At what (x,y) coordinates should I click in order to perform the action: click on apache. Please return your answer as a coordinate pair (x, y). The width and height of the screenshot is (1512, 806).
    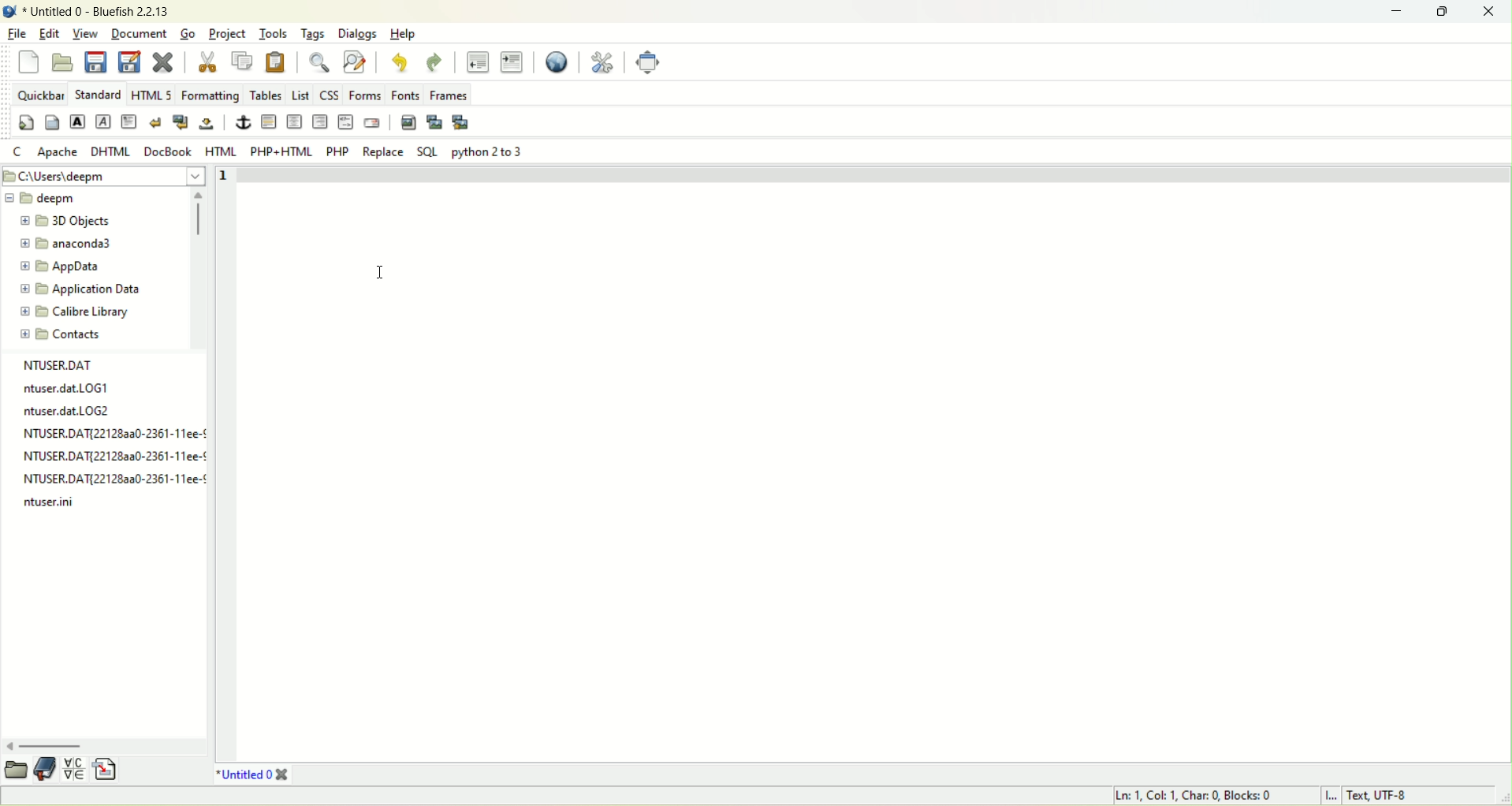
    Looking at the image, I should click on (59, 152).